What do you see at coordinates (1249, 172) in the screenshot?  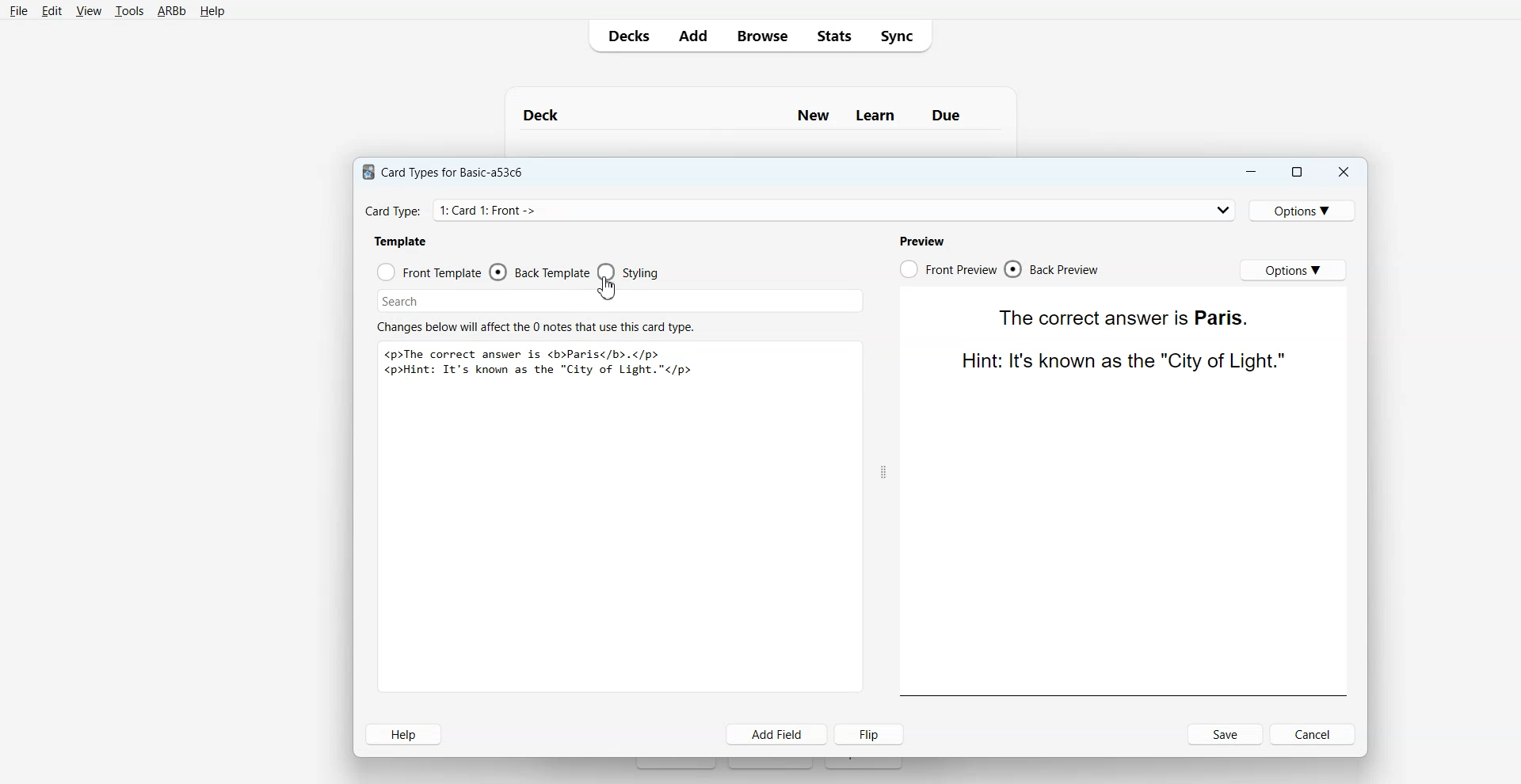 I see `Minimize` at bounding box center [1249, 172].